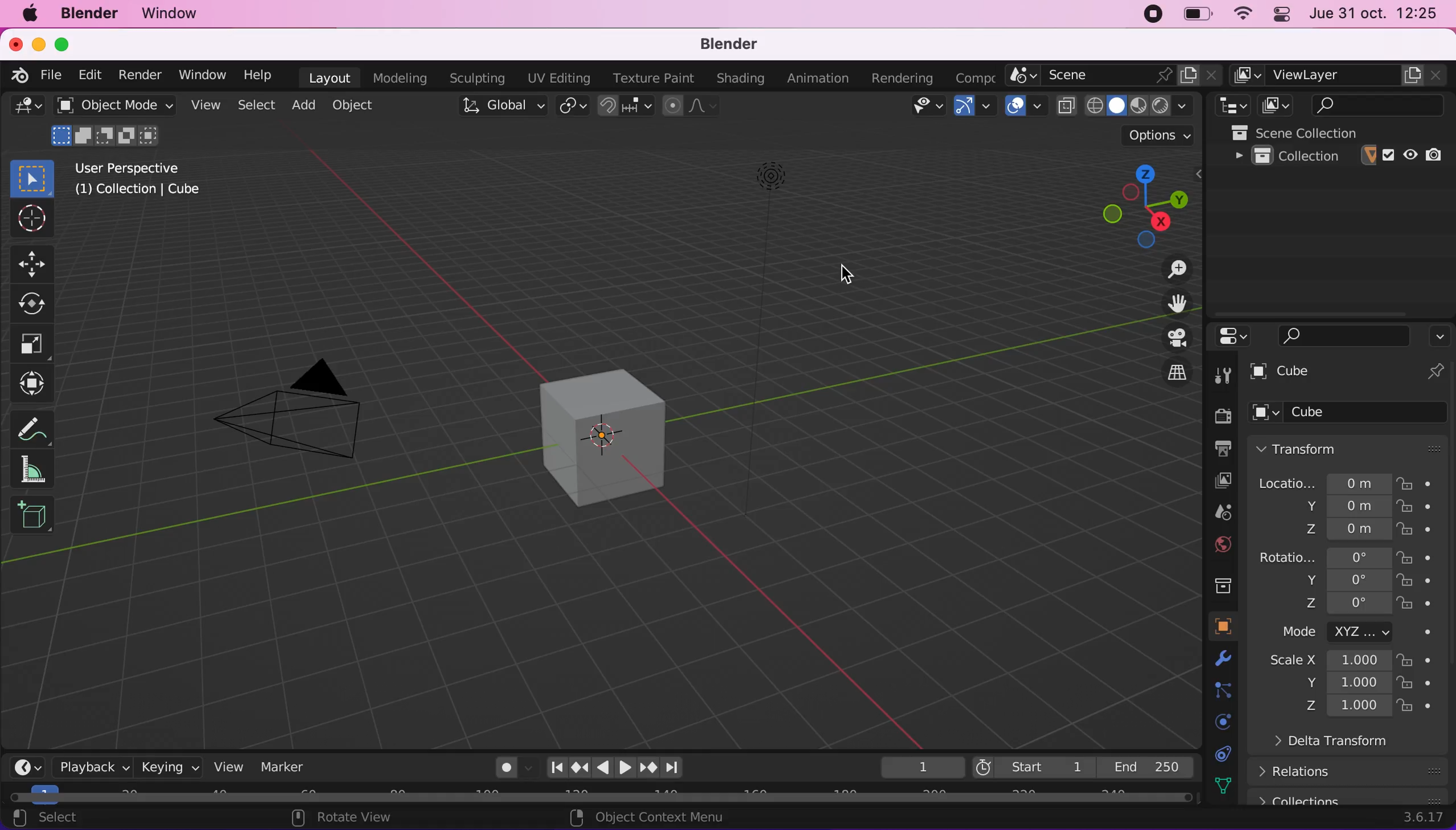 This screenshot has height=830, width=1456. What do you see at coordinates (1137, 201) in the screenshot?
I see `click, shortcut, drag` at bounding box center [1137, 201].